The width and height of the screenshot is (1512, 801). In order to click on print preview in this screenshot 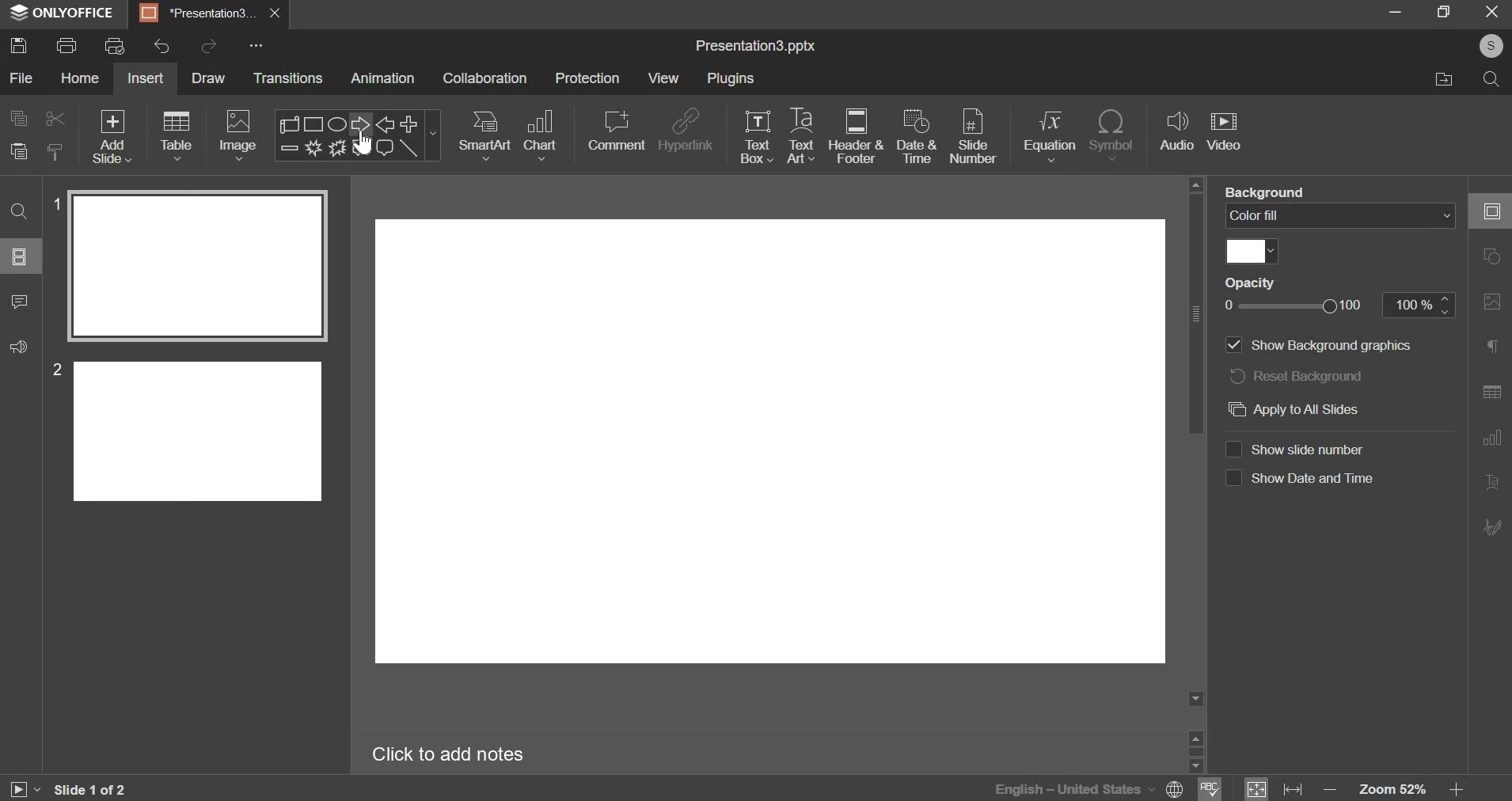, I will do `click(115, 45)`.